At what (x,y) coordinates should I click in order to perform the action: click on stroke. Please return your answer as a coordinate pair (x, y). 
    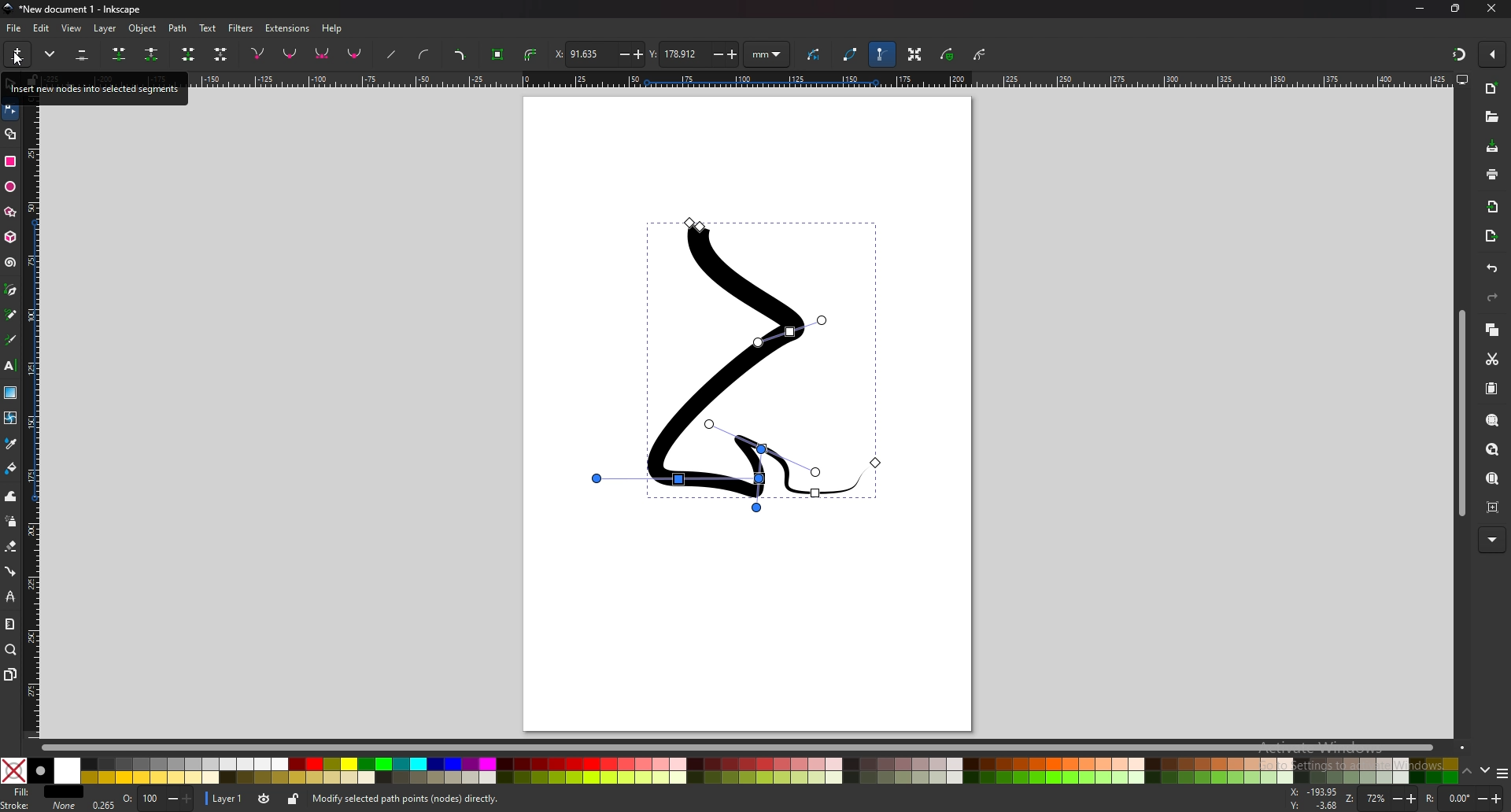
    Looking at the image, I should click on (39, 806).